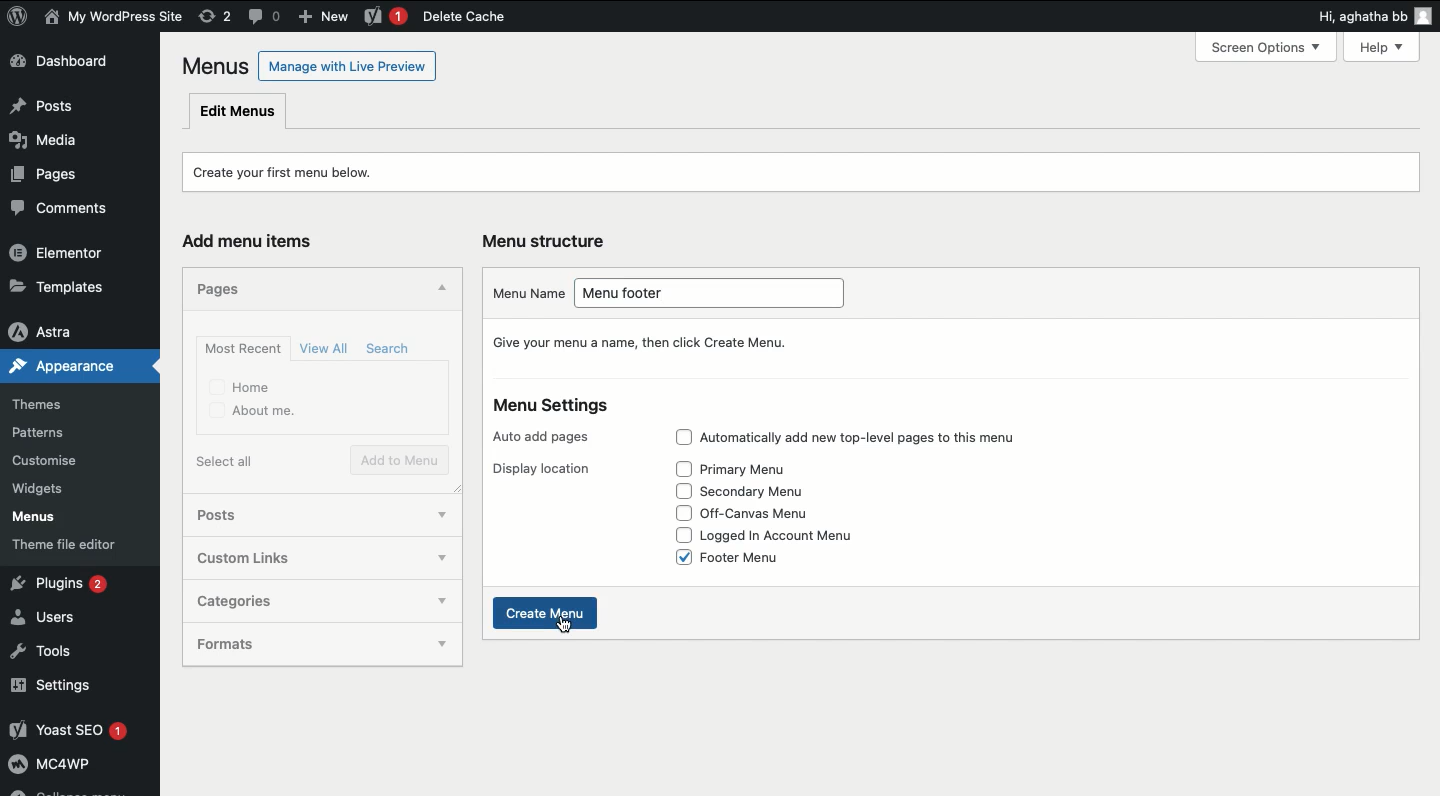 This screenshot has height=796, width=1440. Describe the element at coordinates (437, 601) in the screenshot. I see `show` at that location.